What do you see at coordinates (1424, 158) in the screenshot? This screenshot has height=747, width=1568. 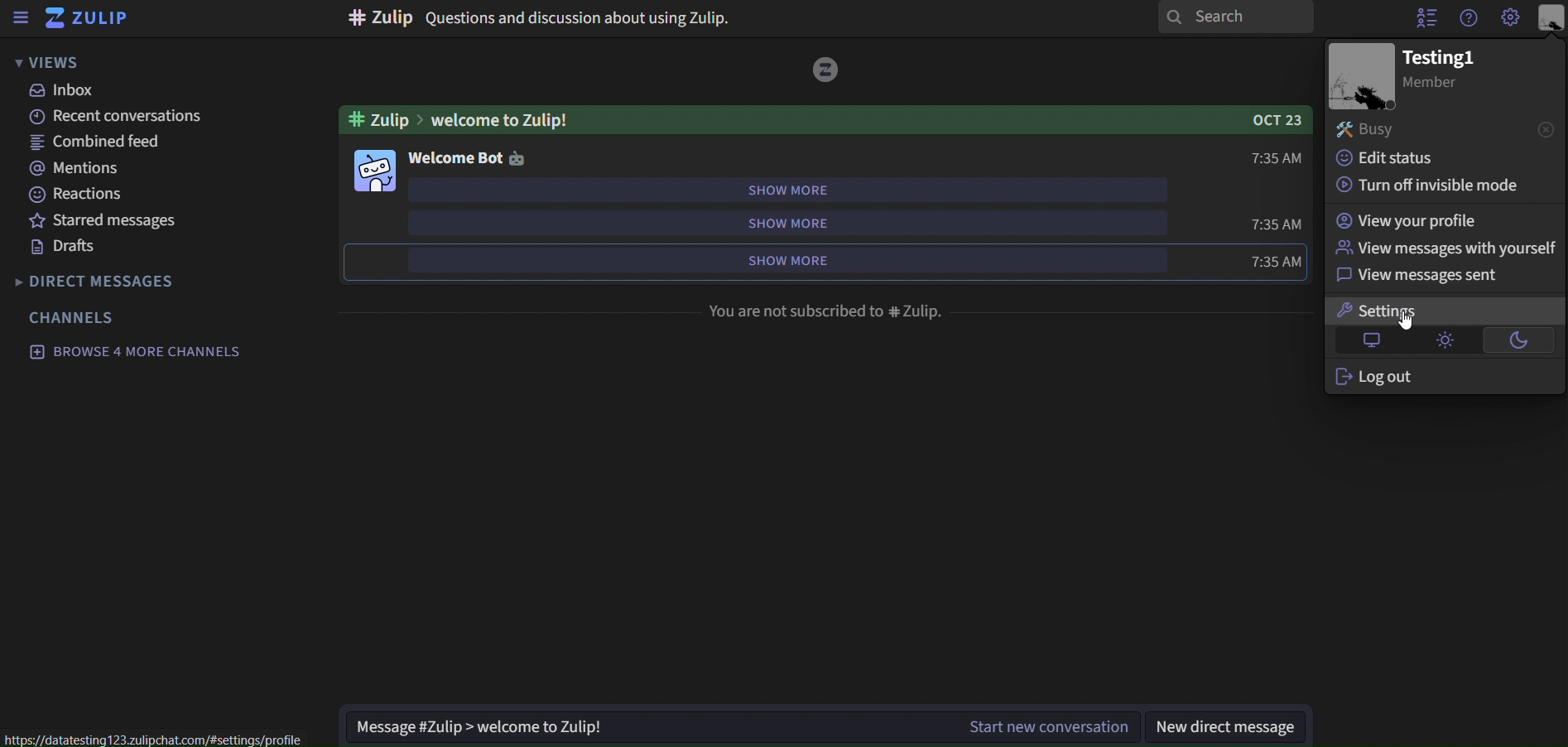 I see `edit status` at bounding box center [1424, 158].